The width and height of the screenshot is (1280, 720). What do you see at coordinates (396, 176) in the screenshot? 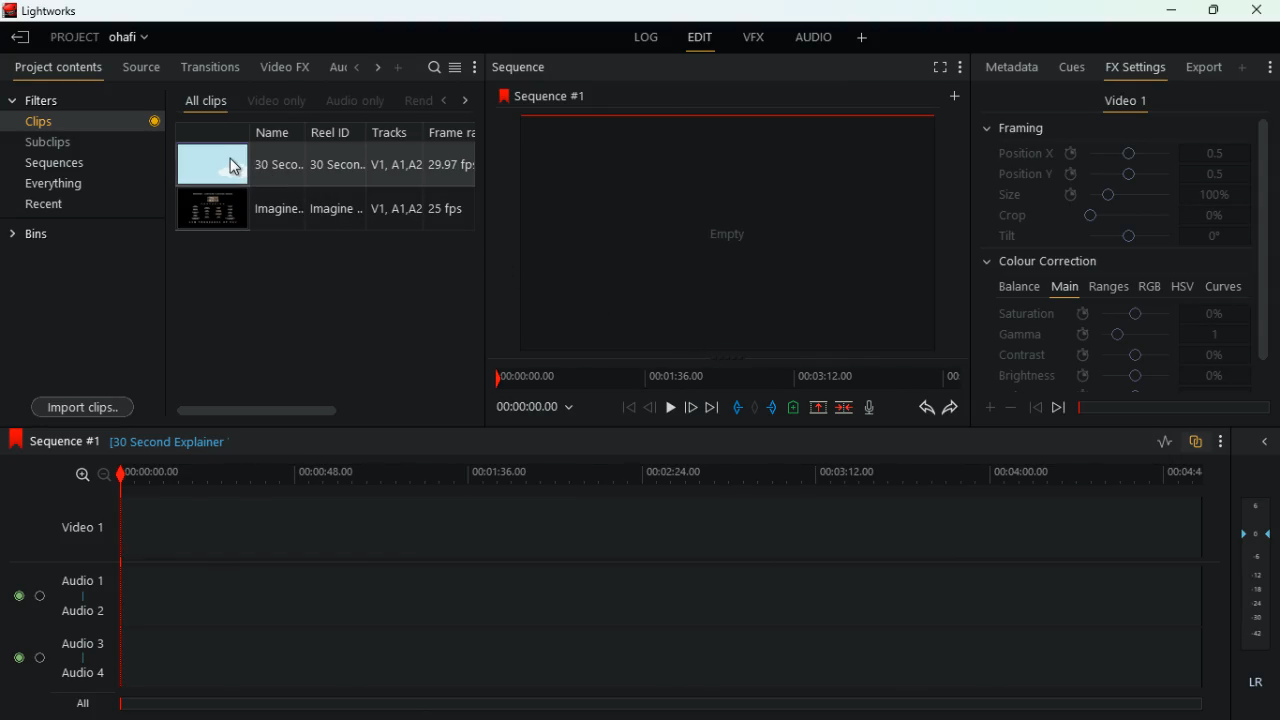
I see `tracks` at bounding box center [396, 176].